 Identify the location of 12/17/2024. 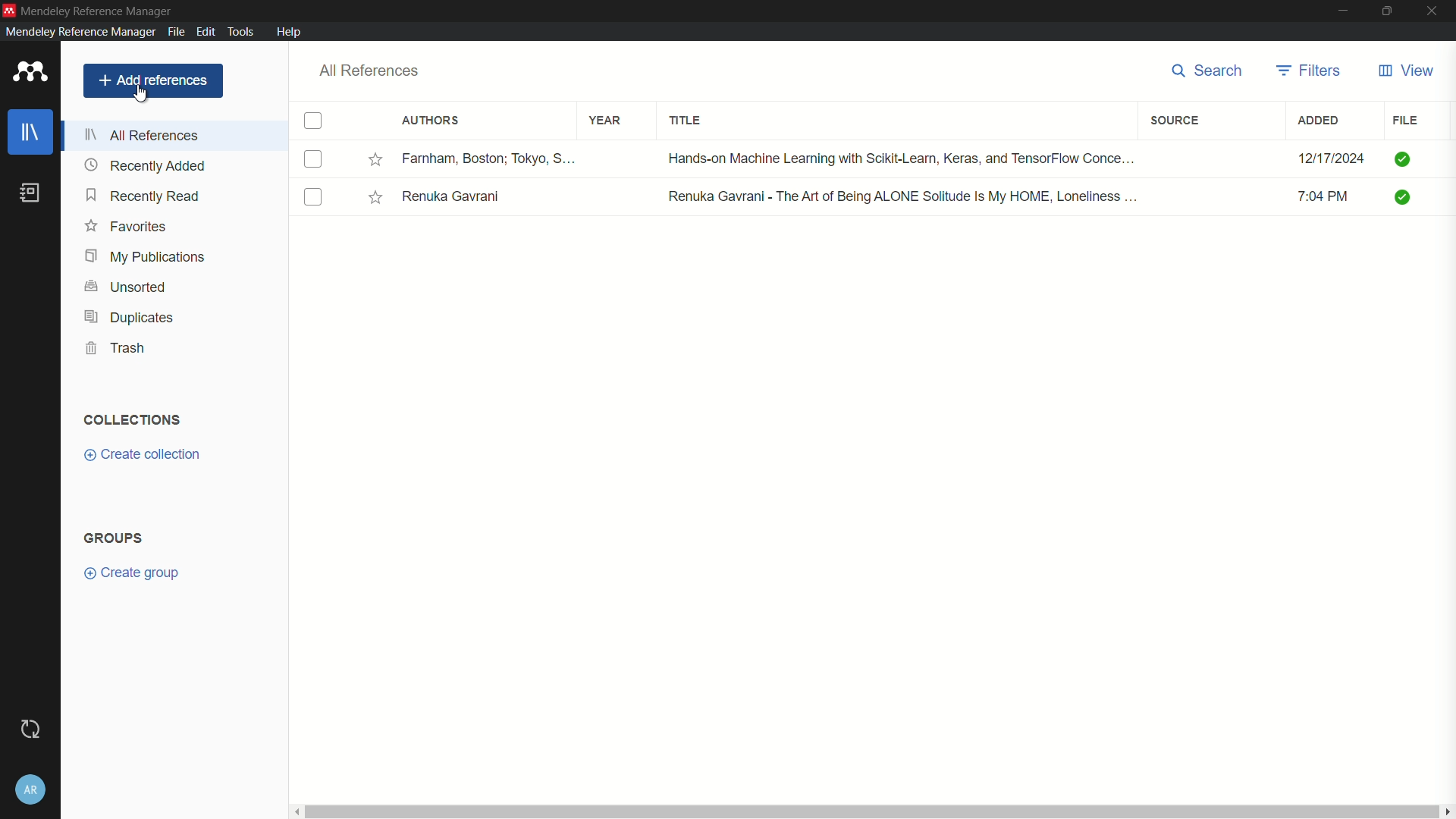
(1331, 158).